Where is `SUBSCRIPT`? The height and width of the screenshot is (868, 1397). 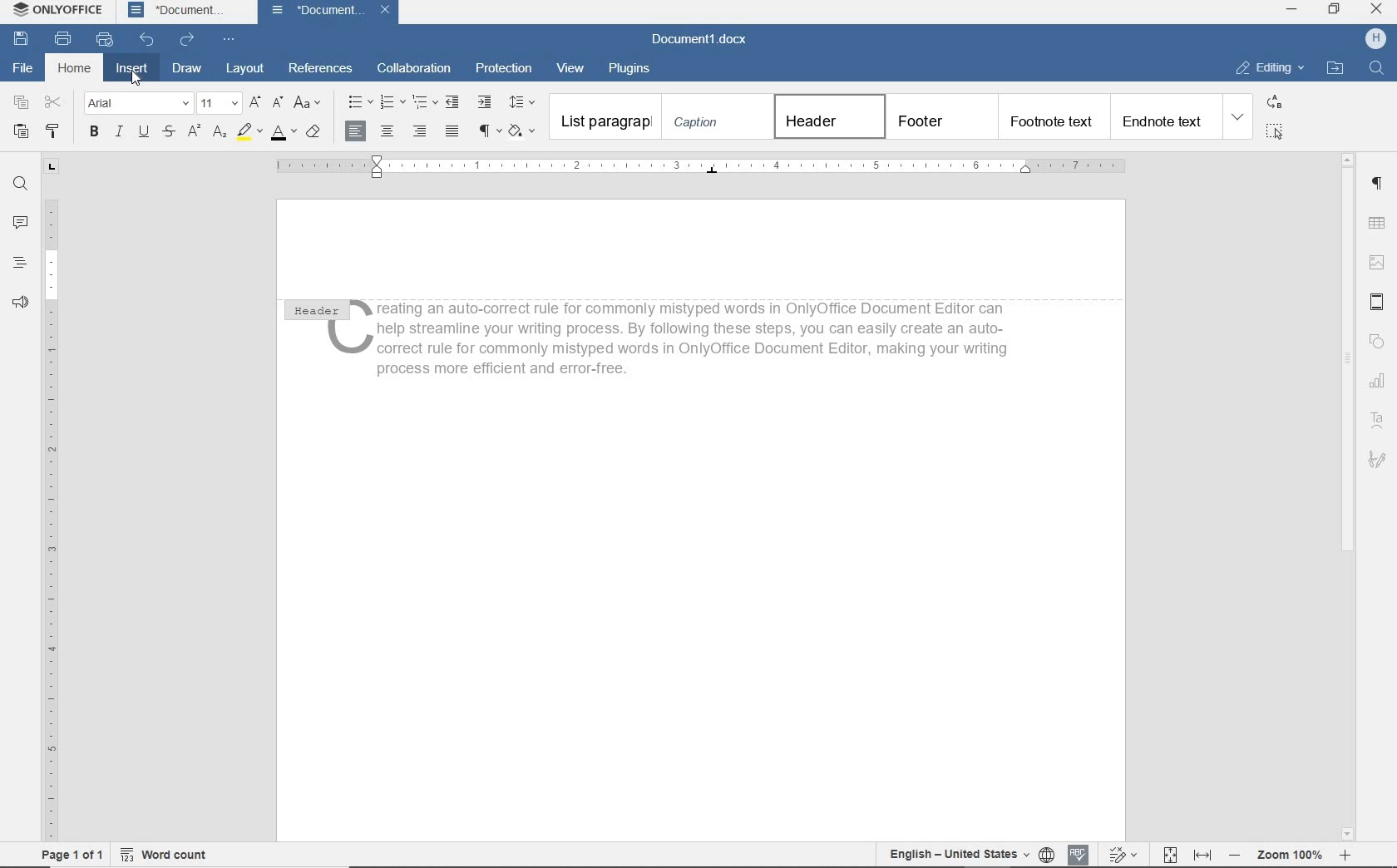 SUBSCRIPT is located at coordinates (220, 133).